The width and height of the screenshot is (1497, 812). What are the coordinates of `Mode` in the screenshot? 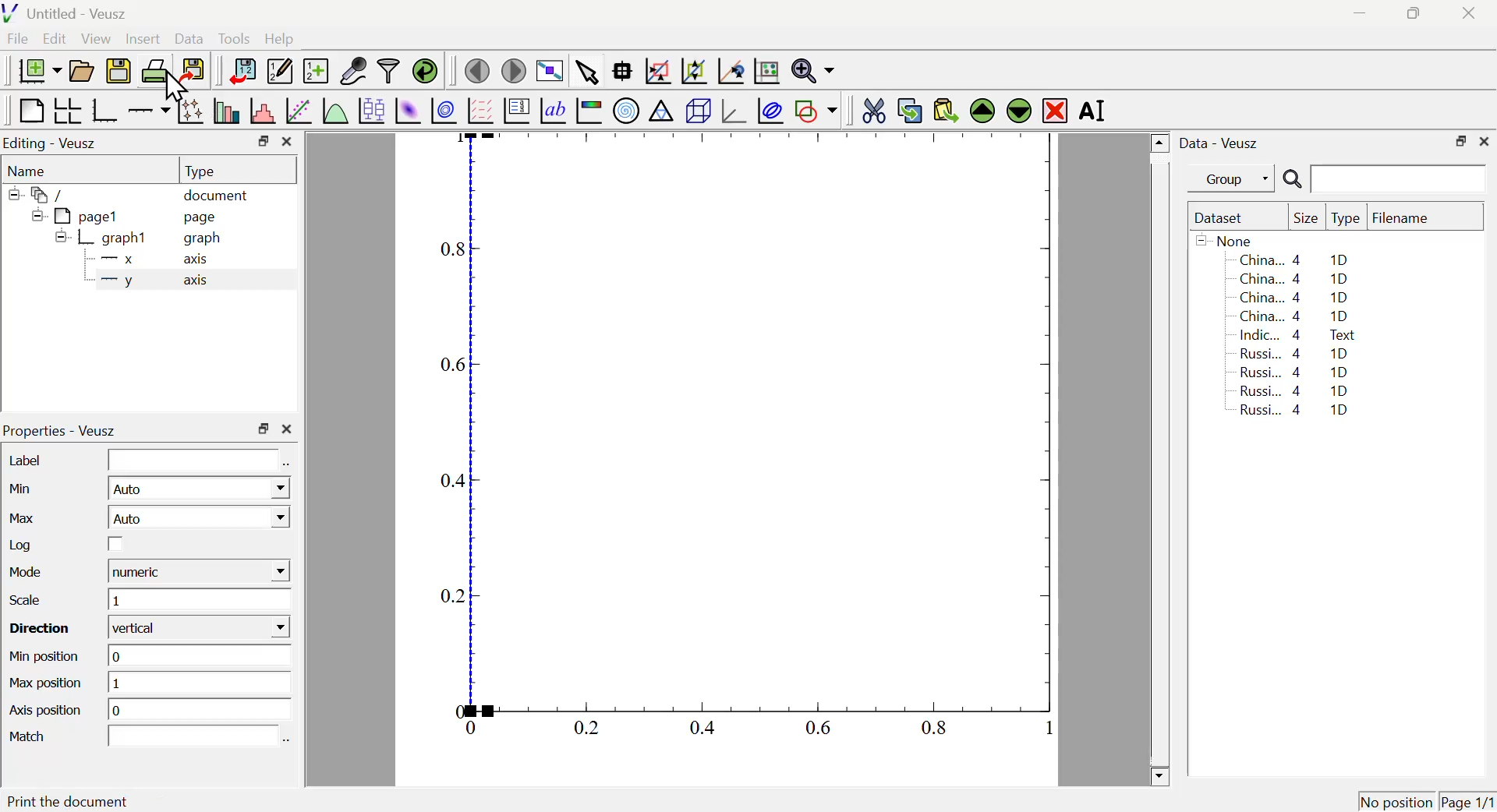 It's located at (30, 574).